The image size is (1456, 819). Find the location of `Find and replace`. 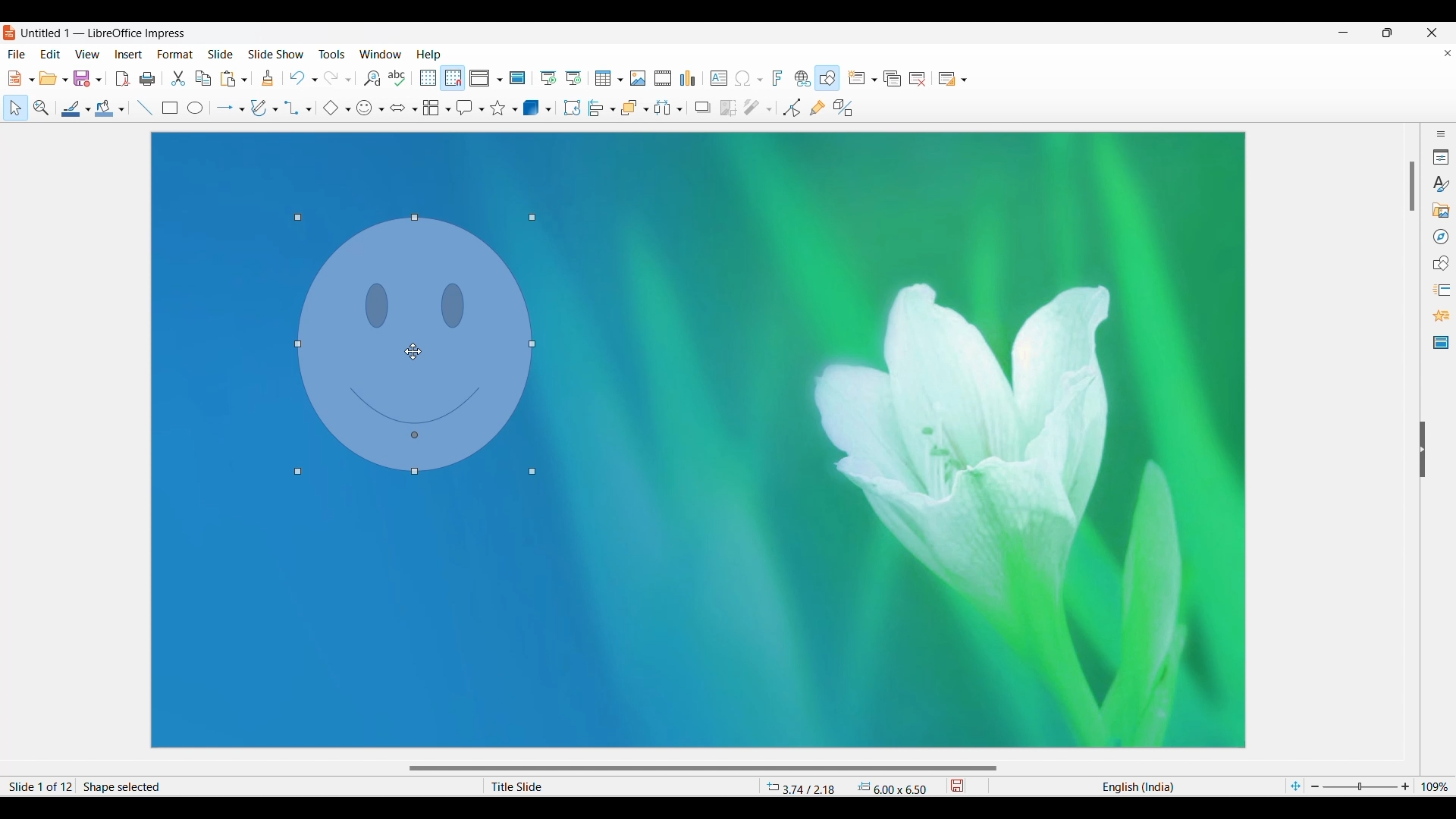

Find and replace is located at coordinates (372, 78).